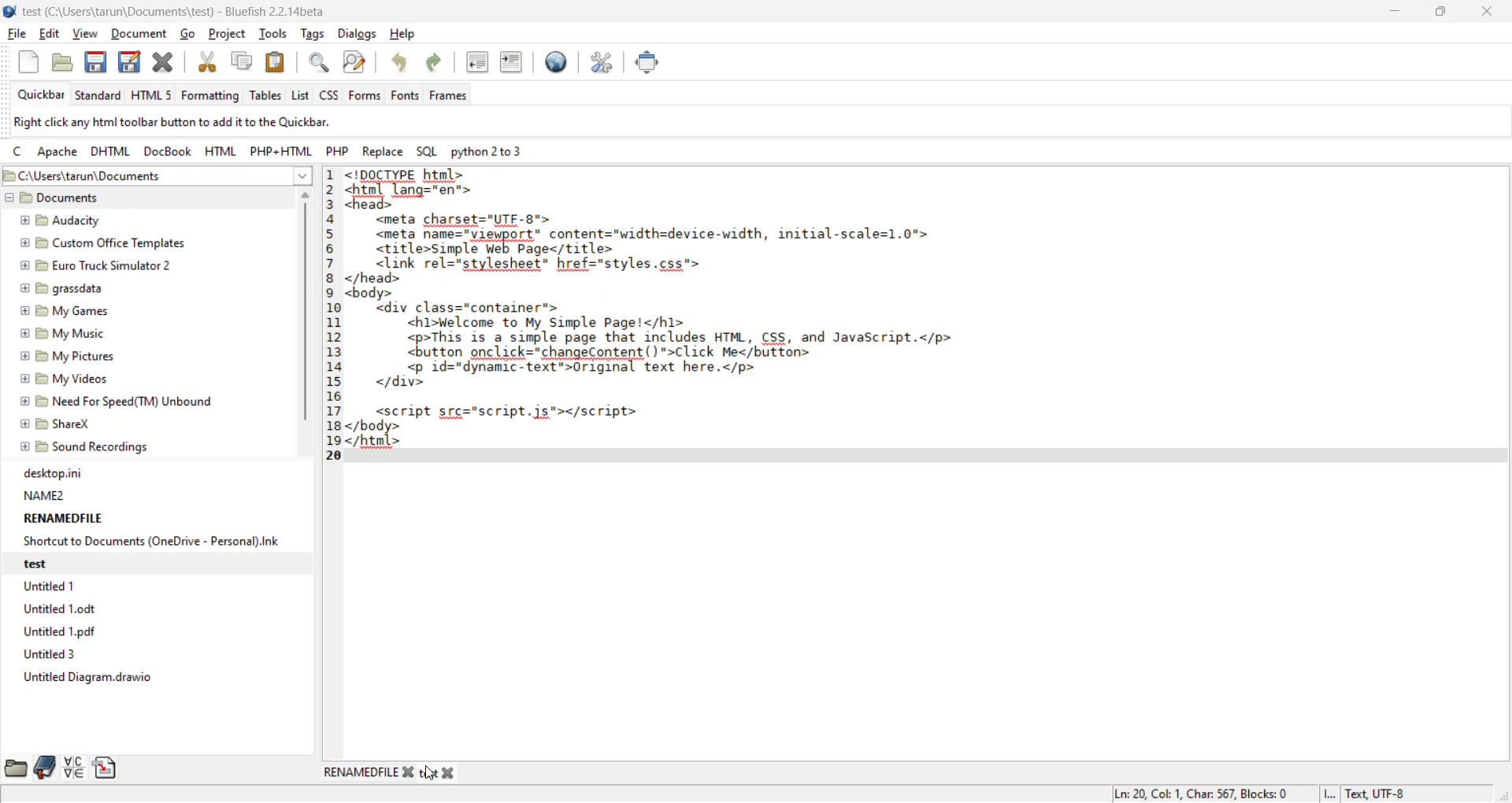 This screenshot has width=1512, height=803. I want to click on css, so click(329, 95).